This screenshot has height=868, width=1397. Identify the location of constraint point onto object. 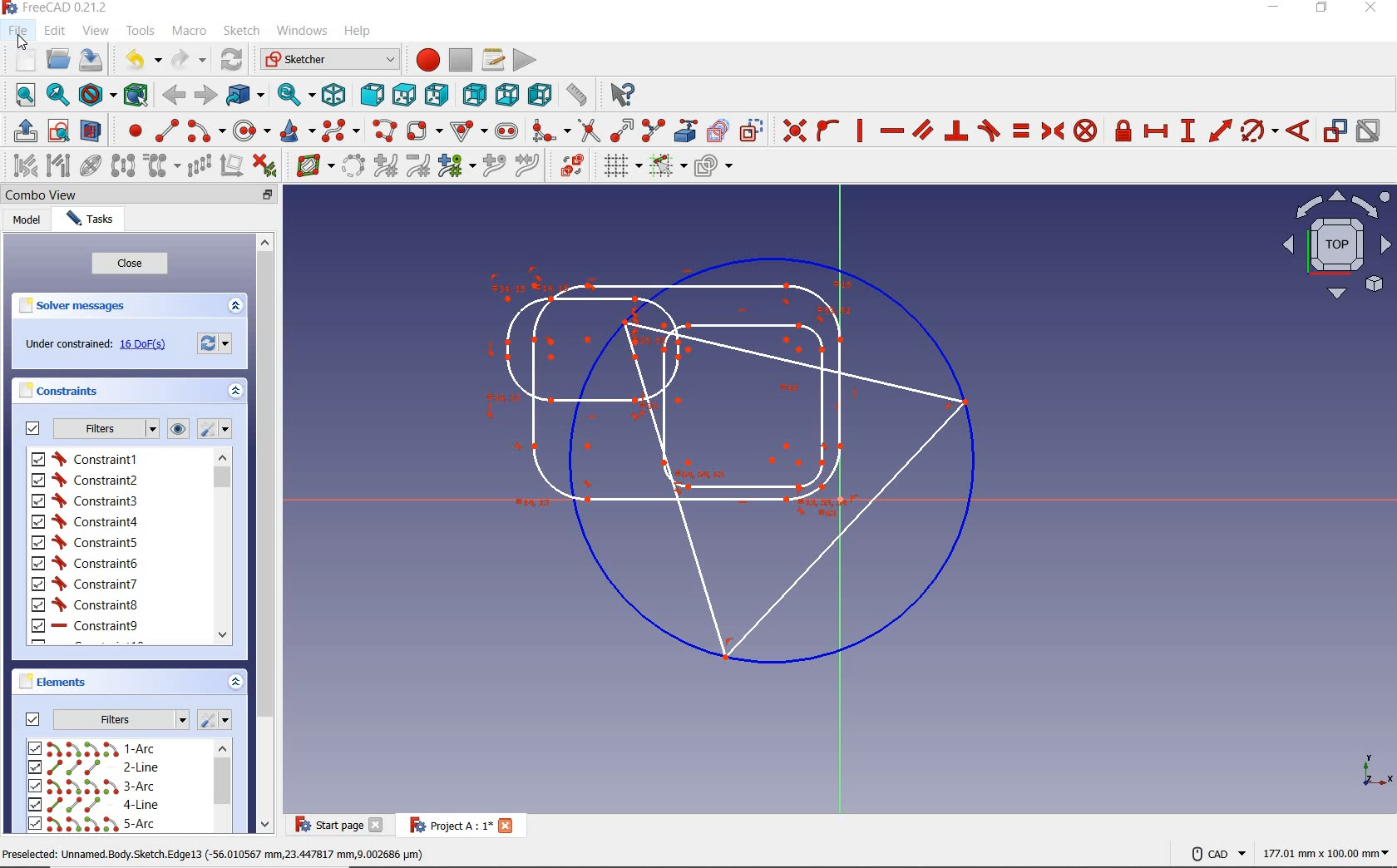
(827, 128).